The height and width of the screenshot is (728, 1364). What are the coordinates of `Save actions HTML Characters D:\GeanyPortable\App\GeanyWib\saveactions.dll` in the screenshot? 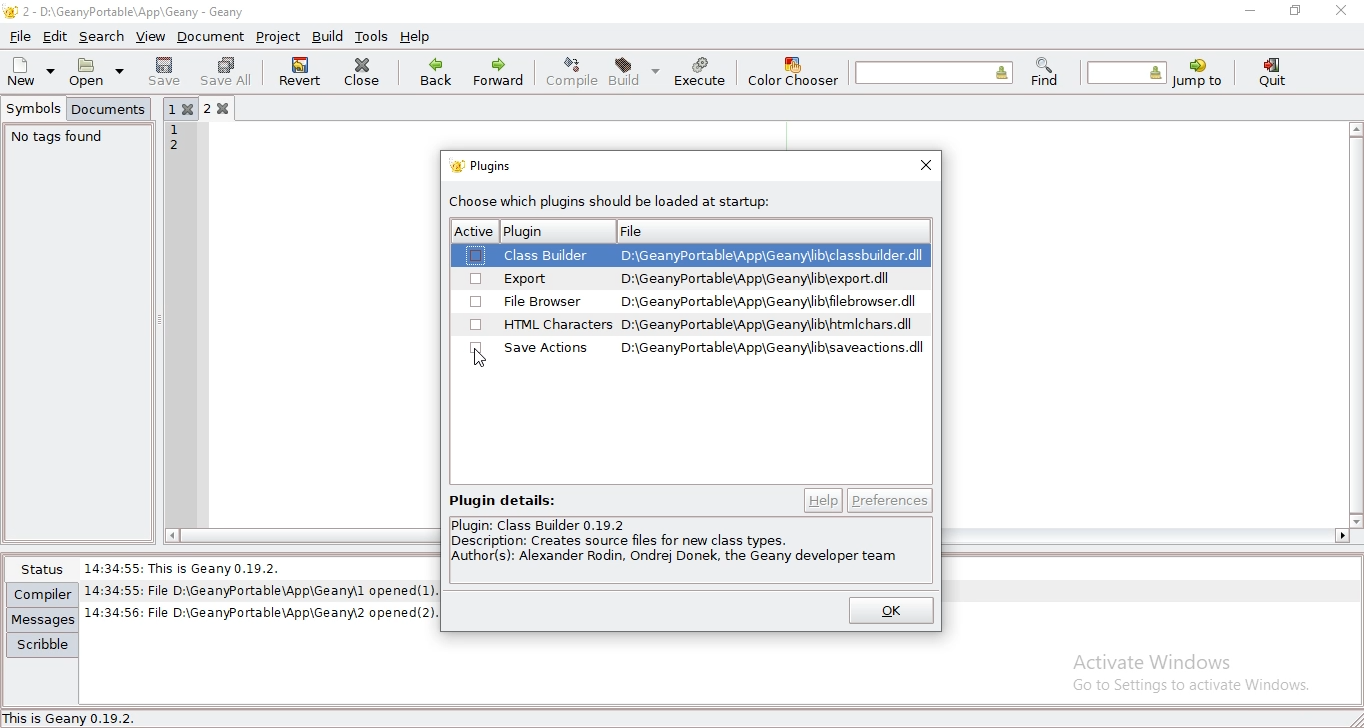 It's located at (692, 350).